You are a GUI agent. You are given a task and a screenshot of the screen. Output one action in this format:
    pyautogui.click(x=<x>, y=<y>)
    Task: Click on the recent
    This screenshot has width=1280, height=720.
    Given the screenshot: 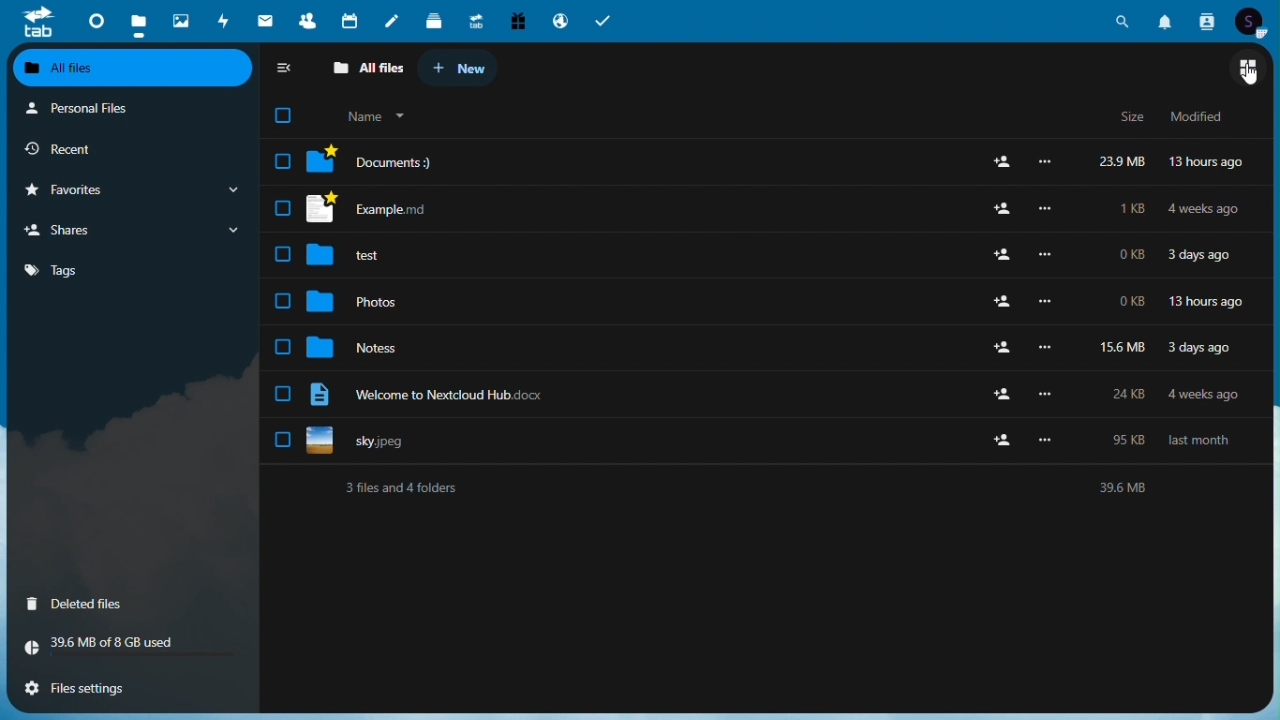 What is the action you would take?
    pyautogui.click(x=110, y=147)
    